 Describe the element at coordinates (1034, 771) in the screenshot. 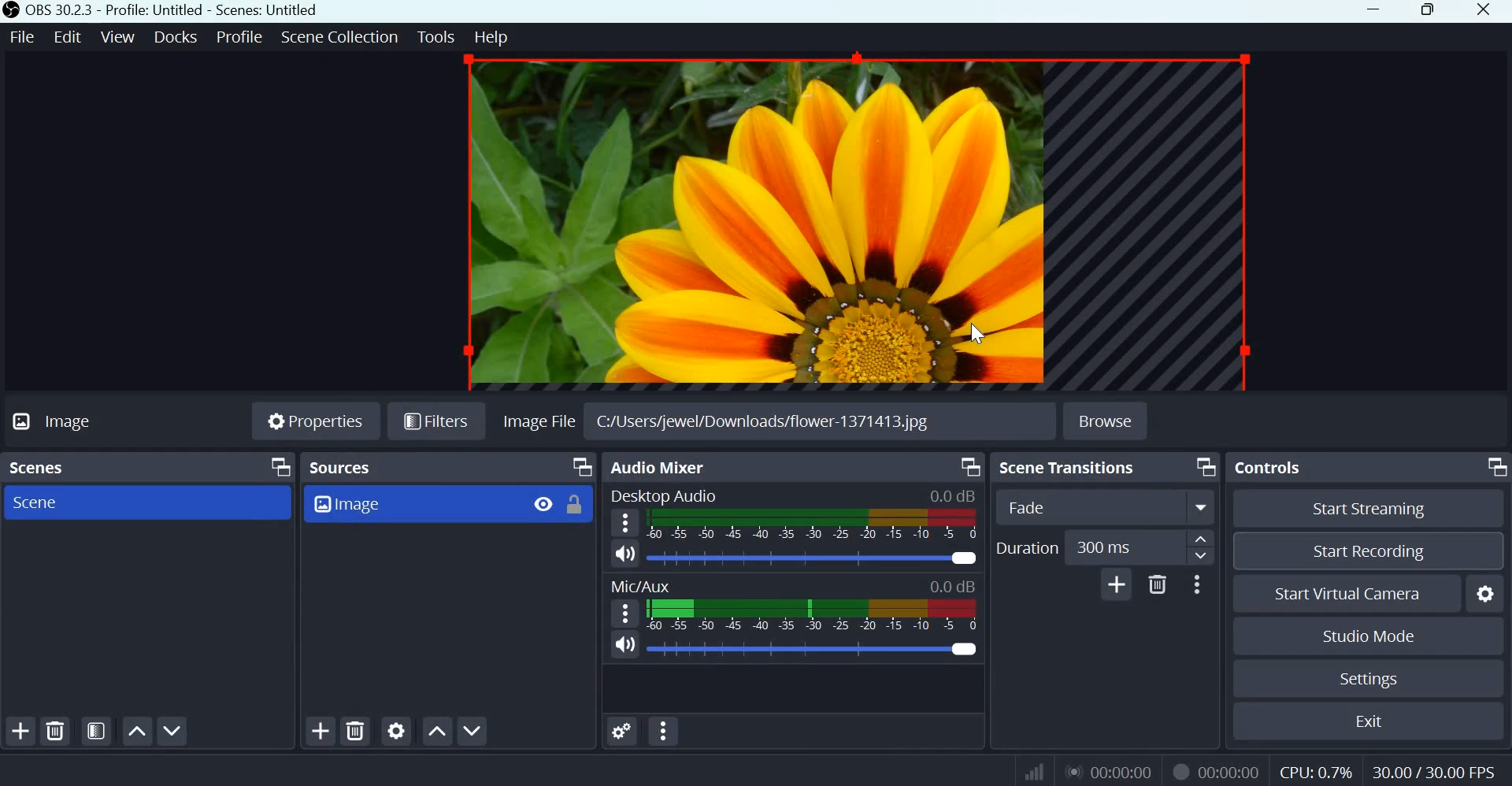

I see `Connection Status Indicator` at that location.